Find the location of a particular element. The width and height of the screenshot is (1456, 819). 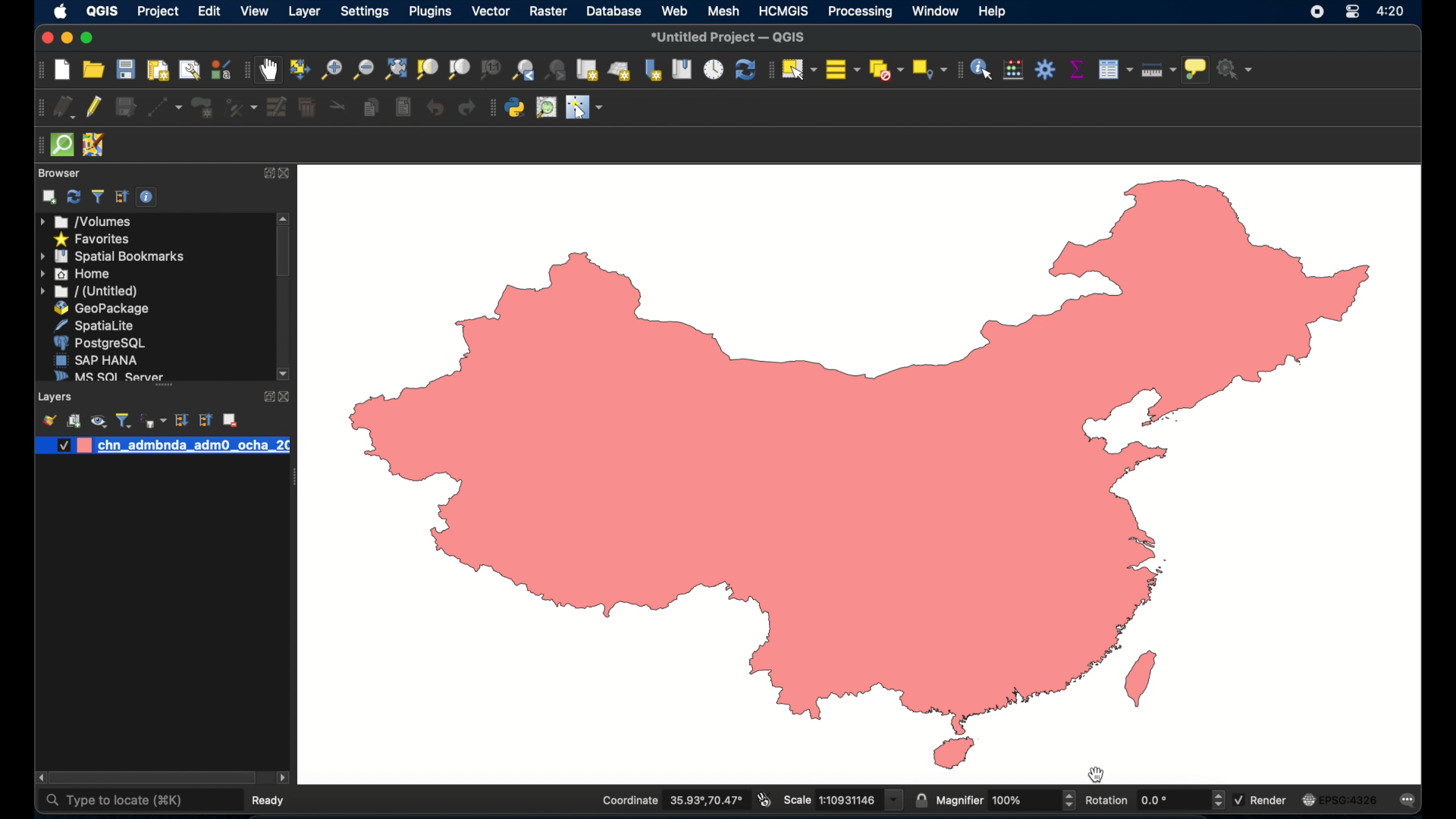

add group is located at coordinates (74, 420).